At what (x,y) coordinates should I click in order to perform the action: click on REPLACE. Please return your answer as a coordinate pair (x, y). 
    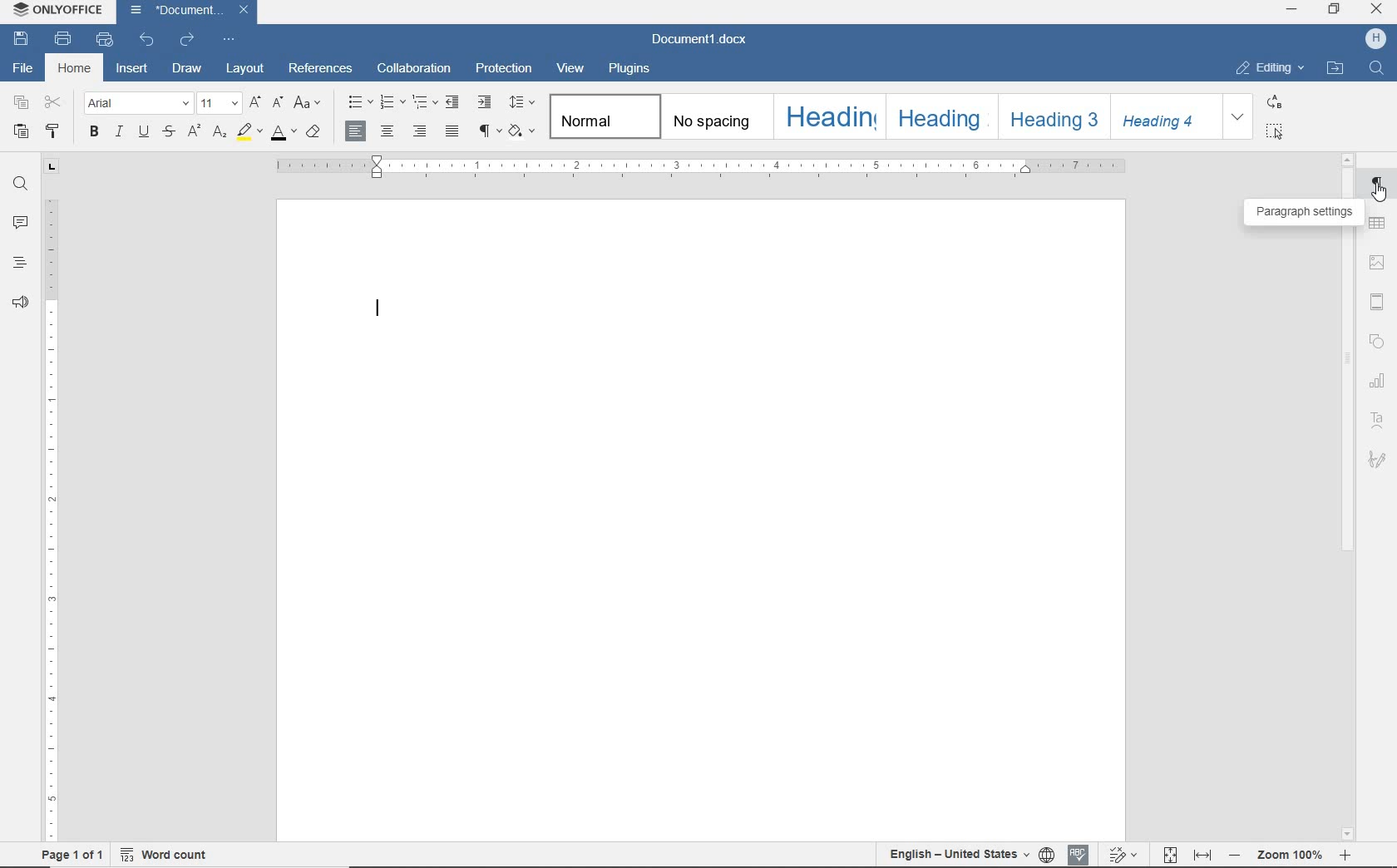
    Looking at the image, I should click on (1274, 102).